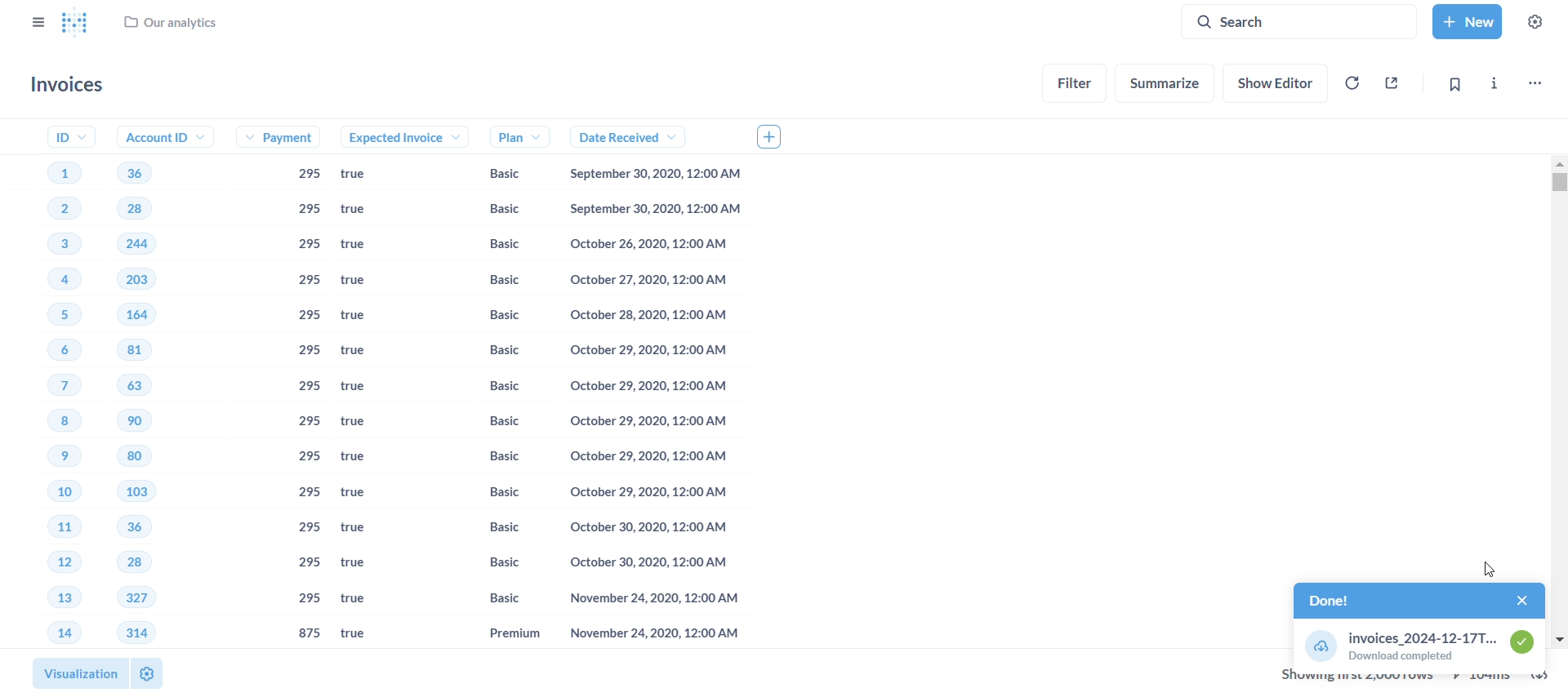 Image resolution: width=1568 pixels, height=697 pixels. Describe the element at coordinates (497, 385) in the screenshot. I see `Basic` at that location.